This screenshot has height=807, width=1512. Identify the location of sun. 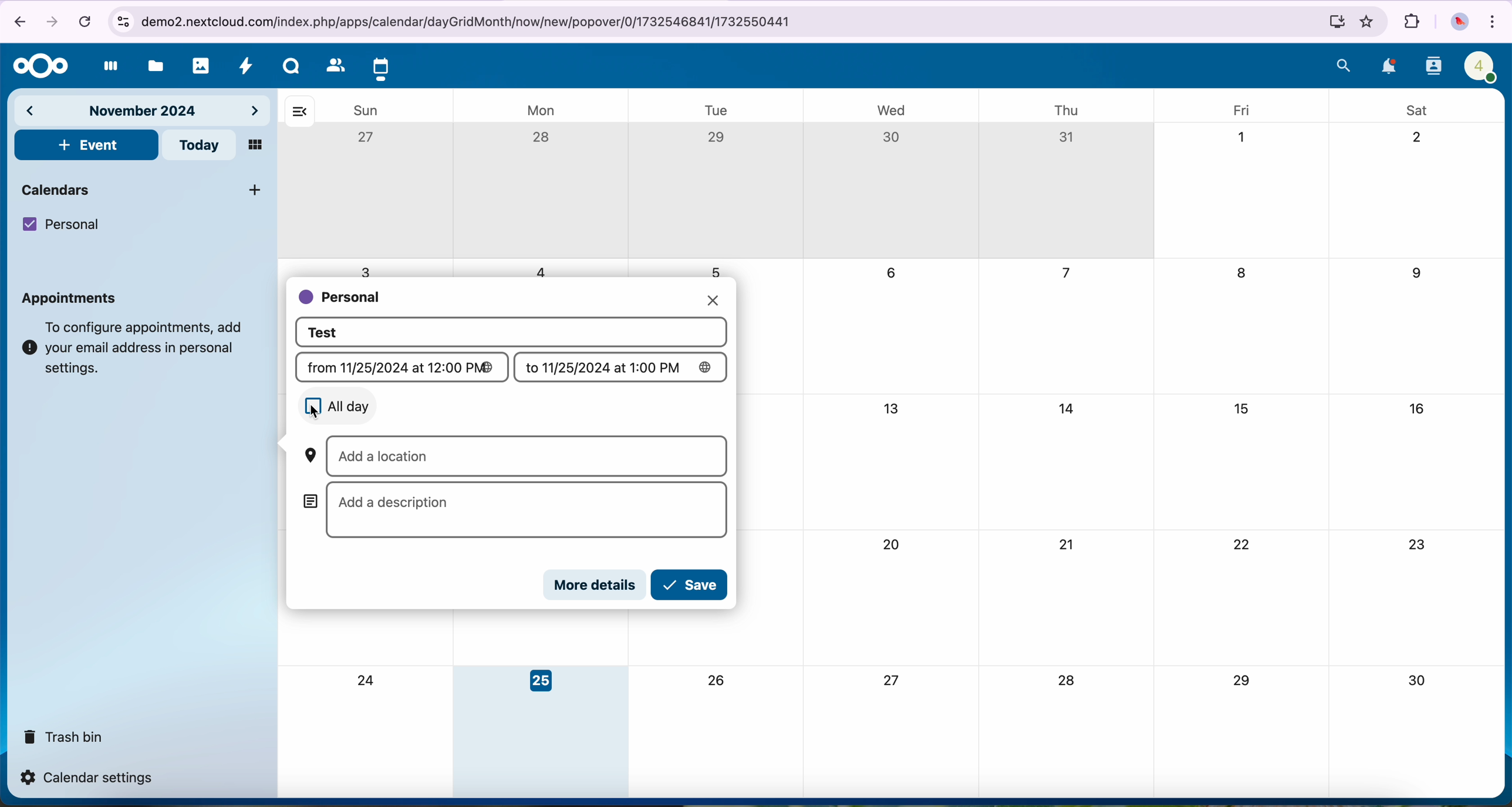
(366, 110).